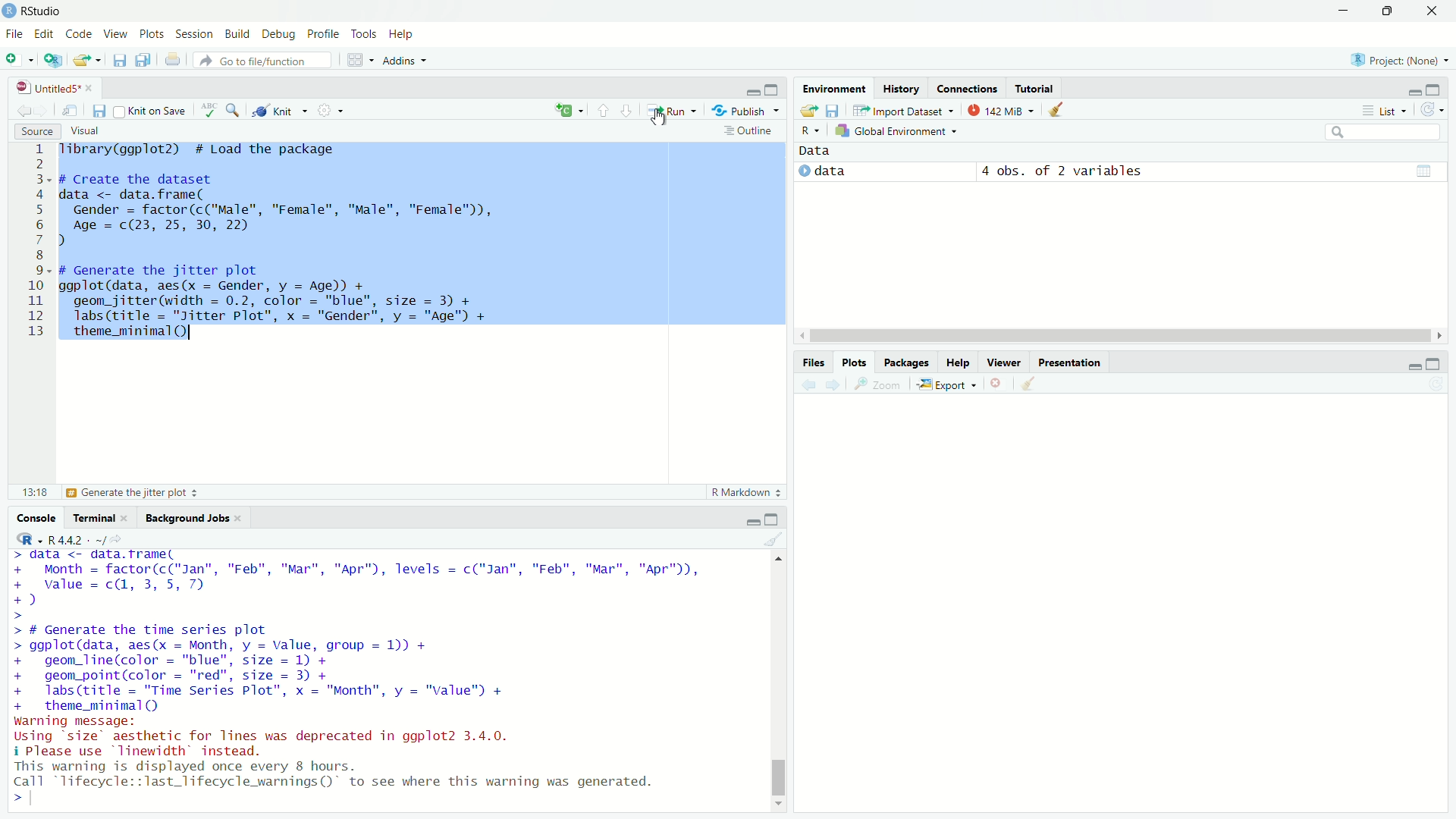 The width and height of the screenshot is (1456, 819). What do you see at coordinates (290, 669) in the screenshot?
I see `code to generate the time series plot` at bounding box center [290, 669].